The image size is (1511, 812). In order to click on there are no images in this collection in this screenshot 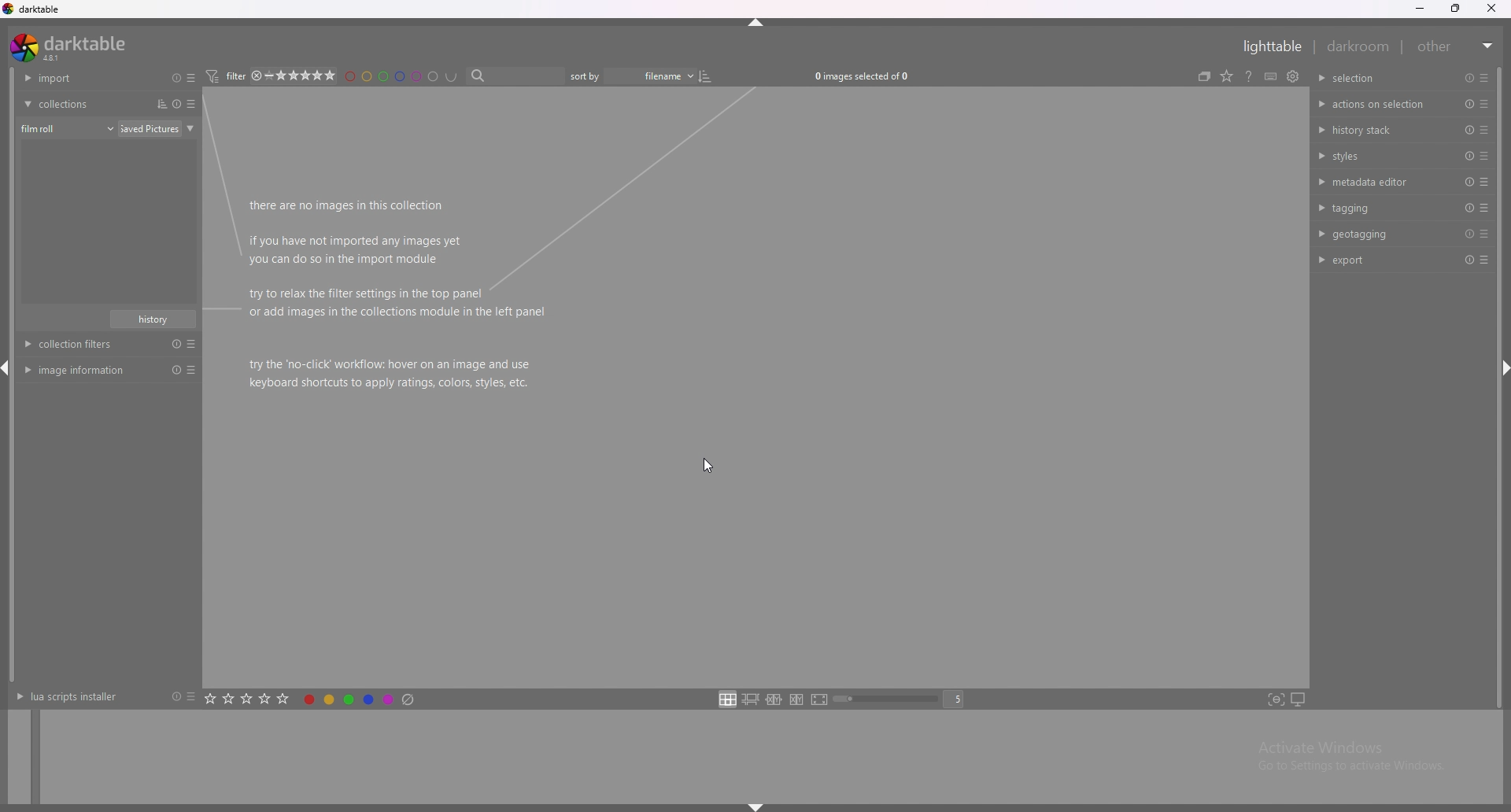, I will do `click(349, 206)`.